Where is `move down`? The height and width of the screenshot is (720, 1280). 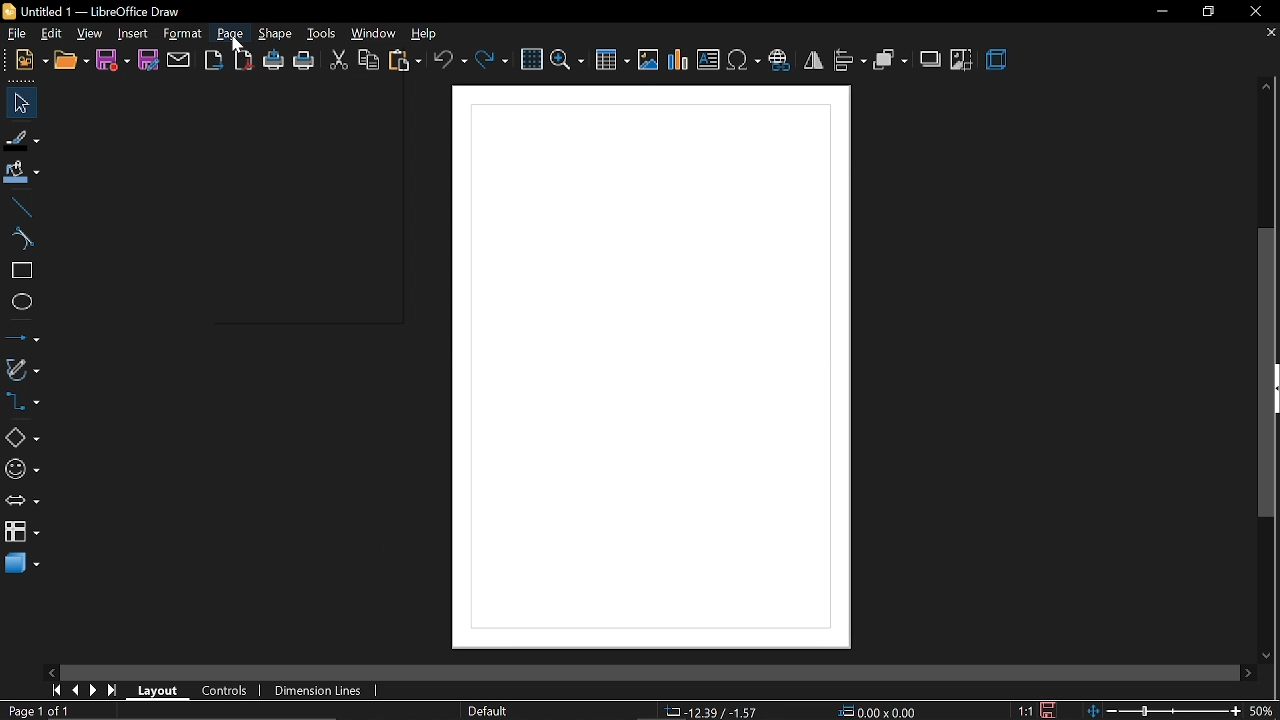
move down is located at coordinates (1266, 655).